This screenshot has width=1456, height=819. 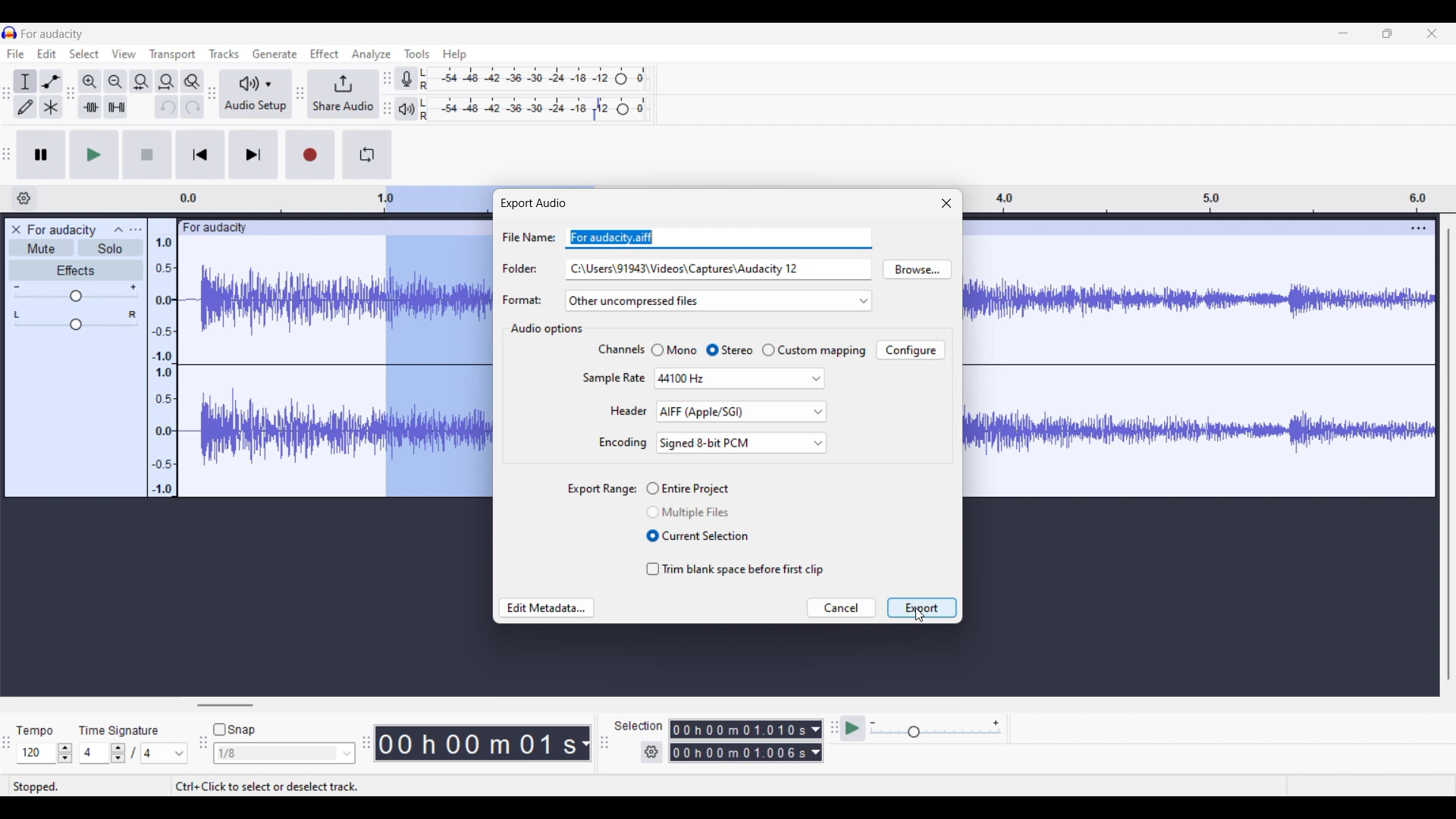 What do you see at coordinates (52, 82) in the screenshot?
I see `Envelop tool` at bounding box center [52, 82].